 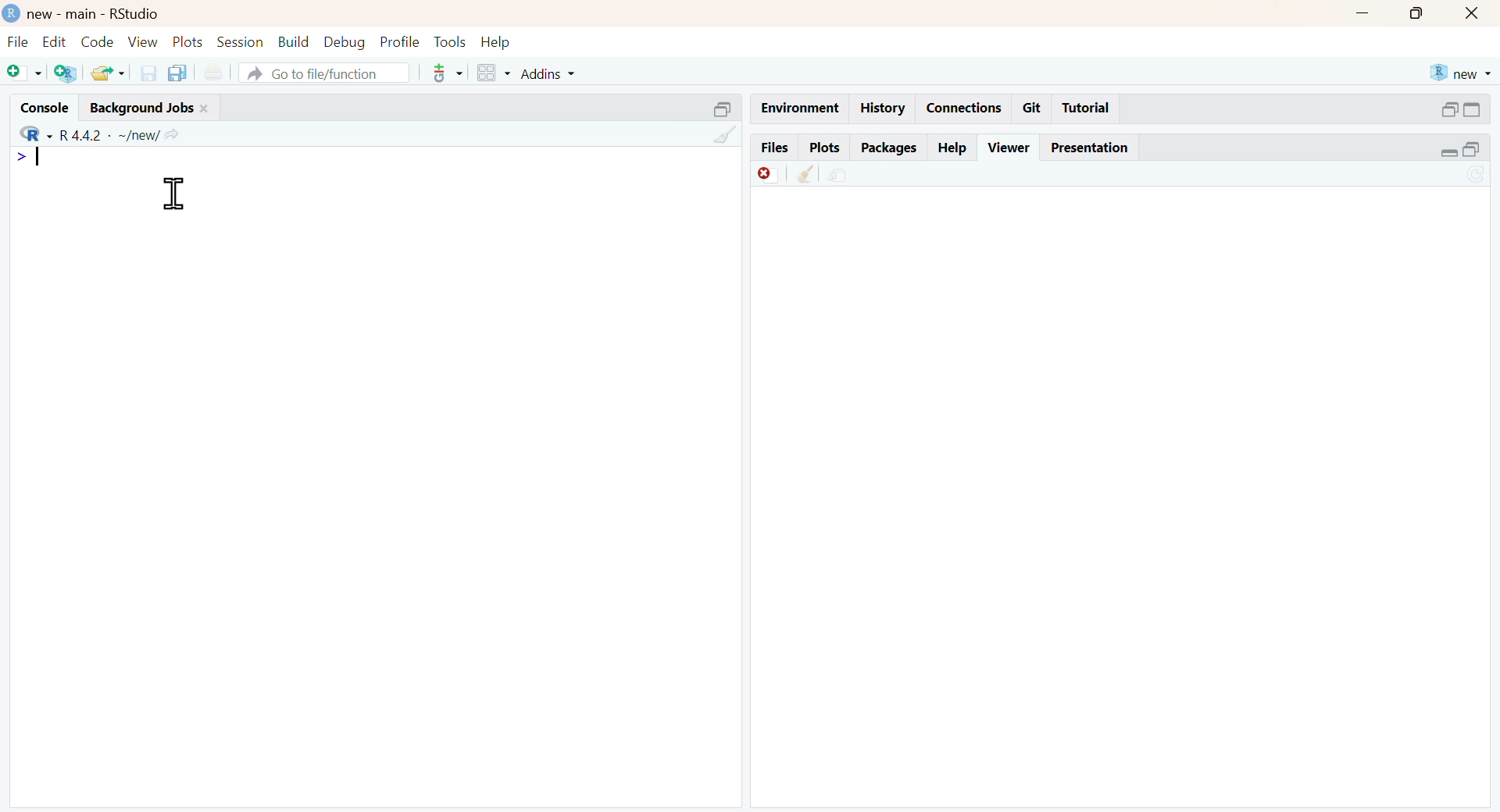 What do you see at coordinates (37, 157) in the screenshot?
I see `typing indicator` at bounding box center [37, 157].